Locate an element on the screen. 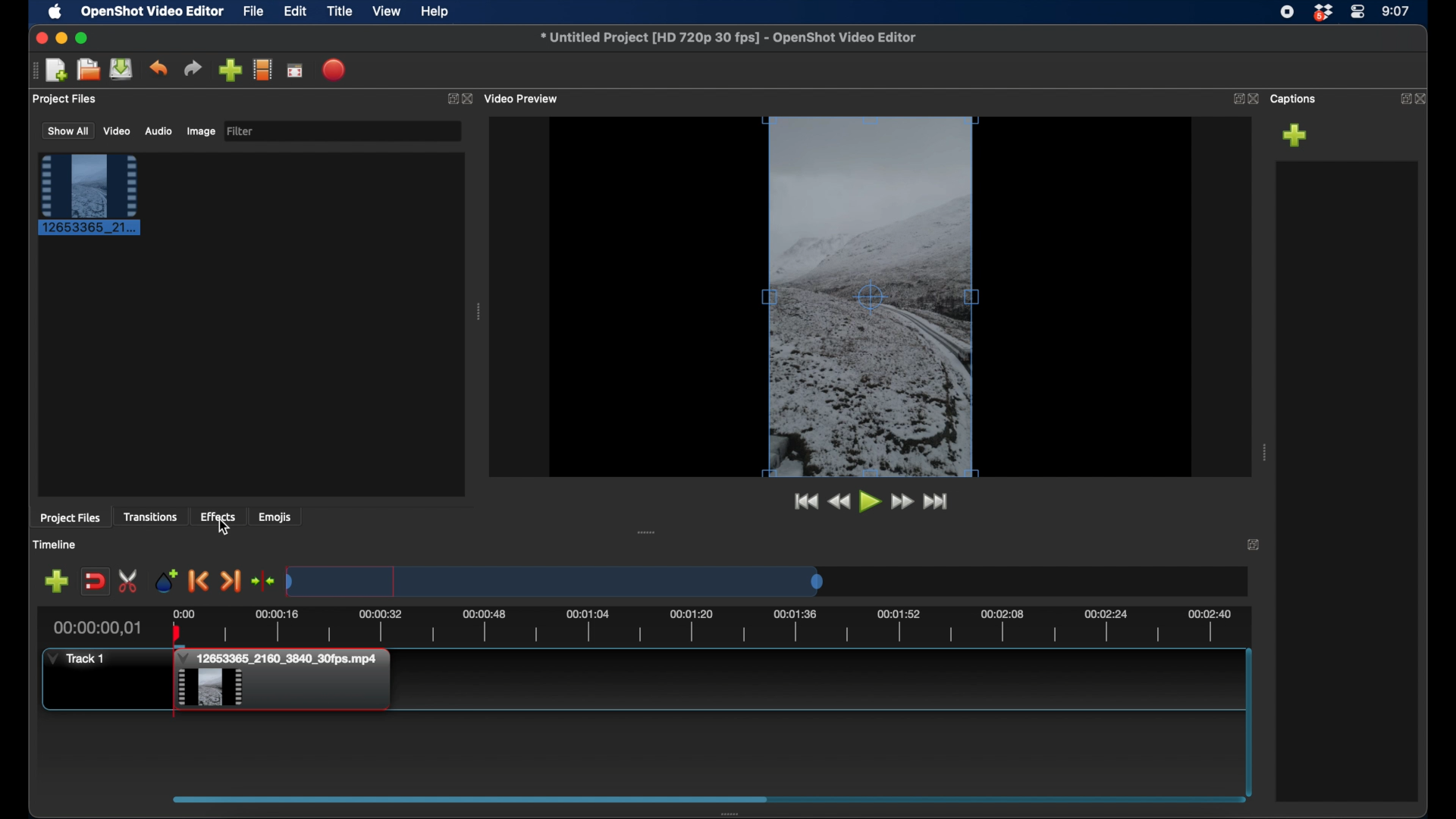 The image size is (1456, 819). drag handle is located at coordinates (1263, 452).